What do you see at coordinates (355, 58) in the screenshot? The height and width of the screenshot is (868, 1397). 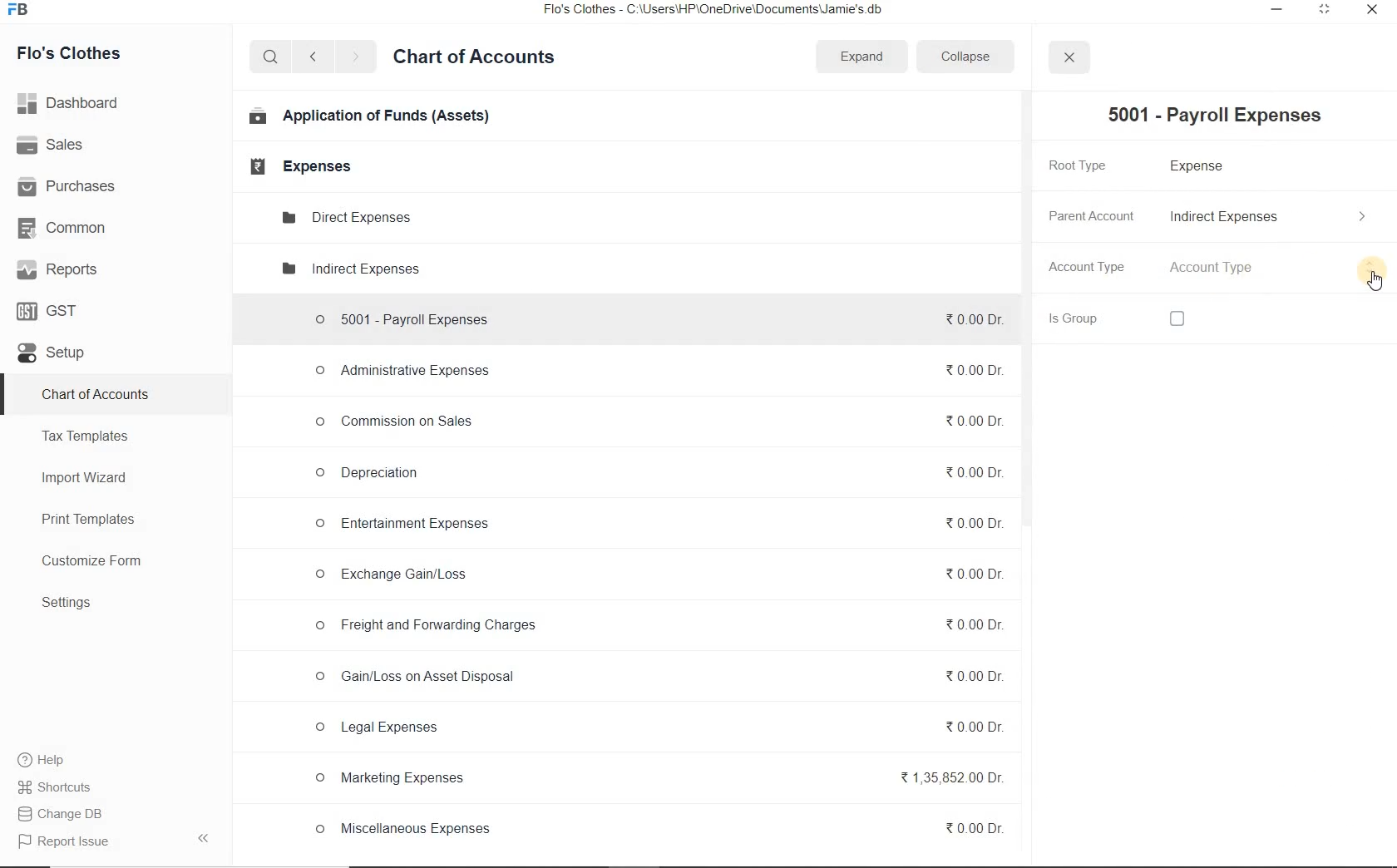 I see `next` at bounding box center [355, 58].